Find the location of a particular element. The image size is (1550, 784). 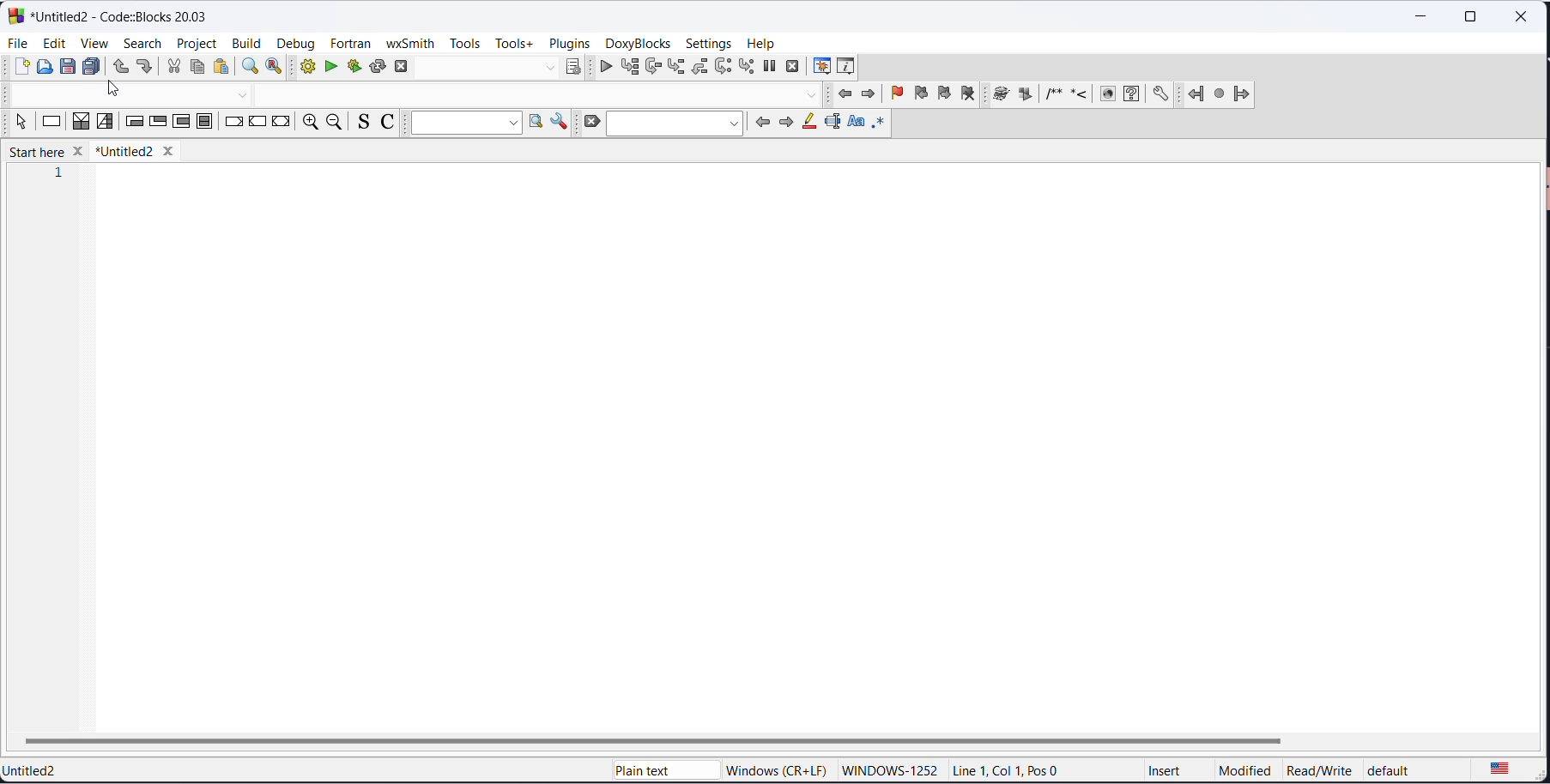

build and run is located at coordinates (352, 66).